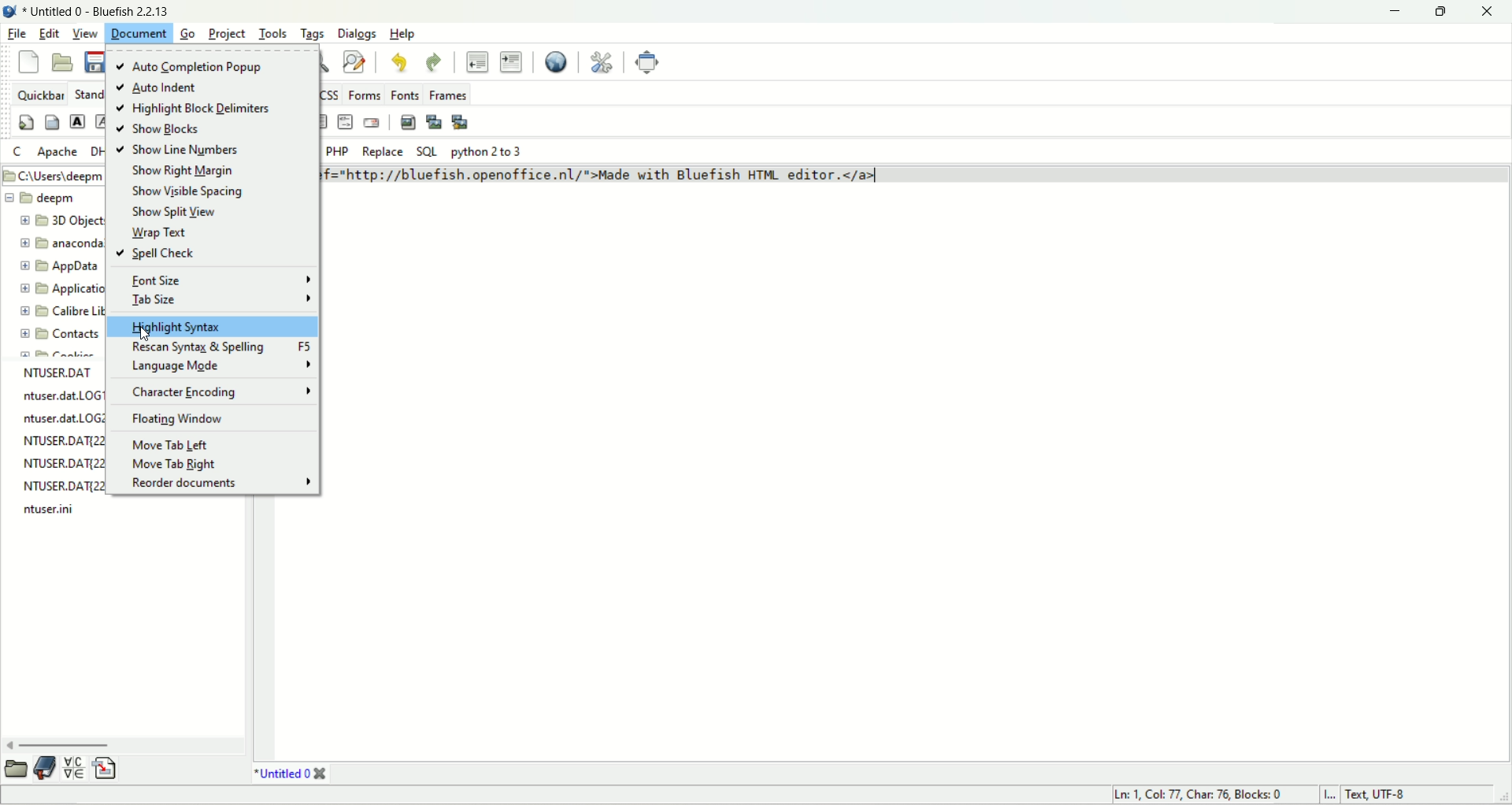  I want to click on frames, so click(447, 95).